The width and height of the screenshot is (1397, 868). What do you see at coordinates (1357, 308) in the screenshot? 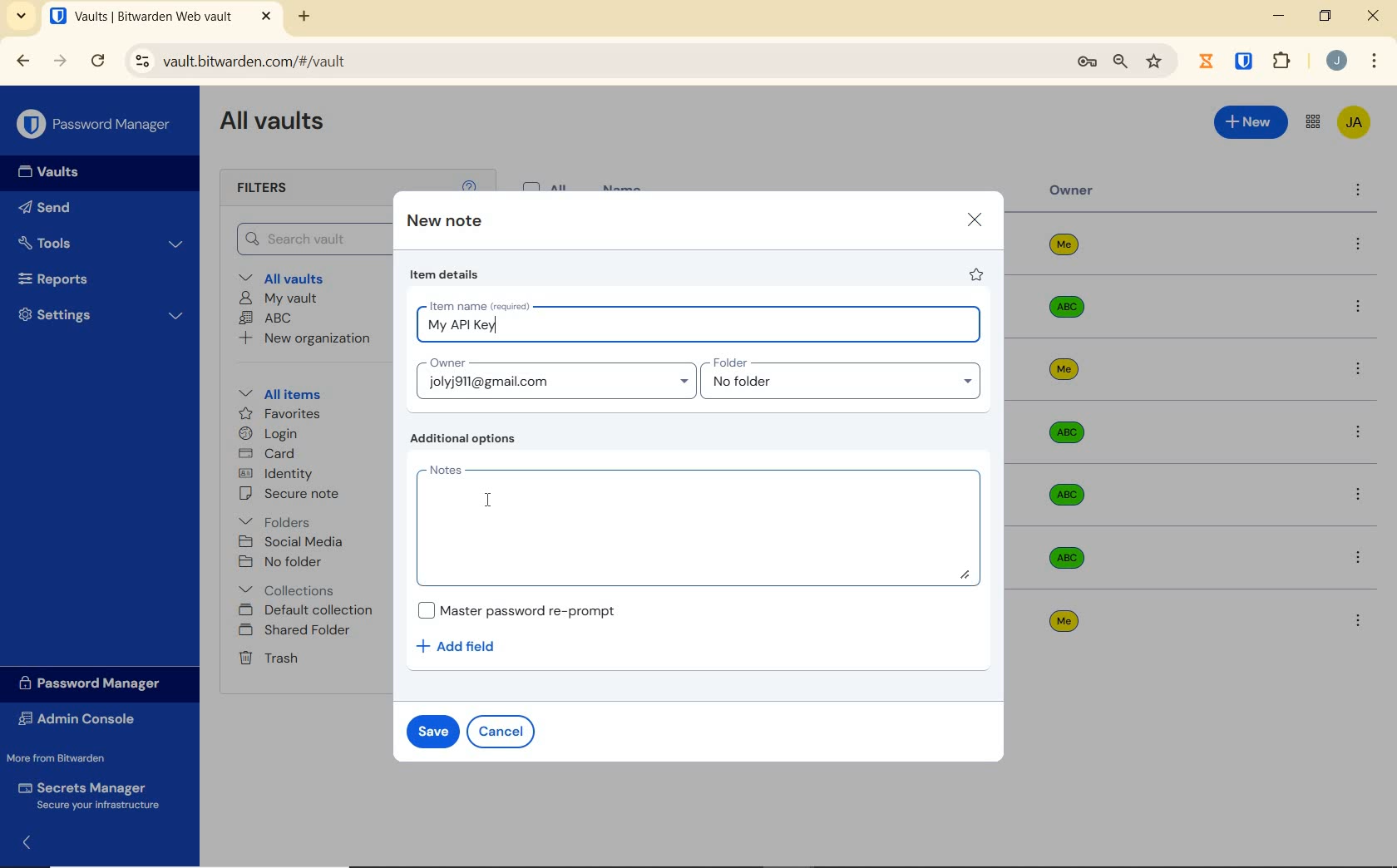
I see `more options` at bounding box center [1357, 308].